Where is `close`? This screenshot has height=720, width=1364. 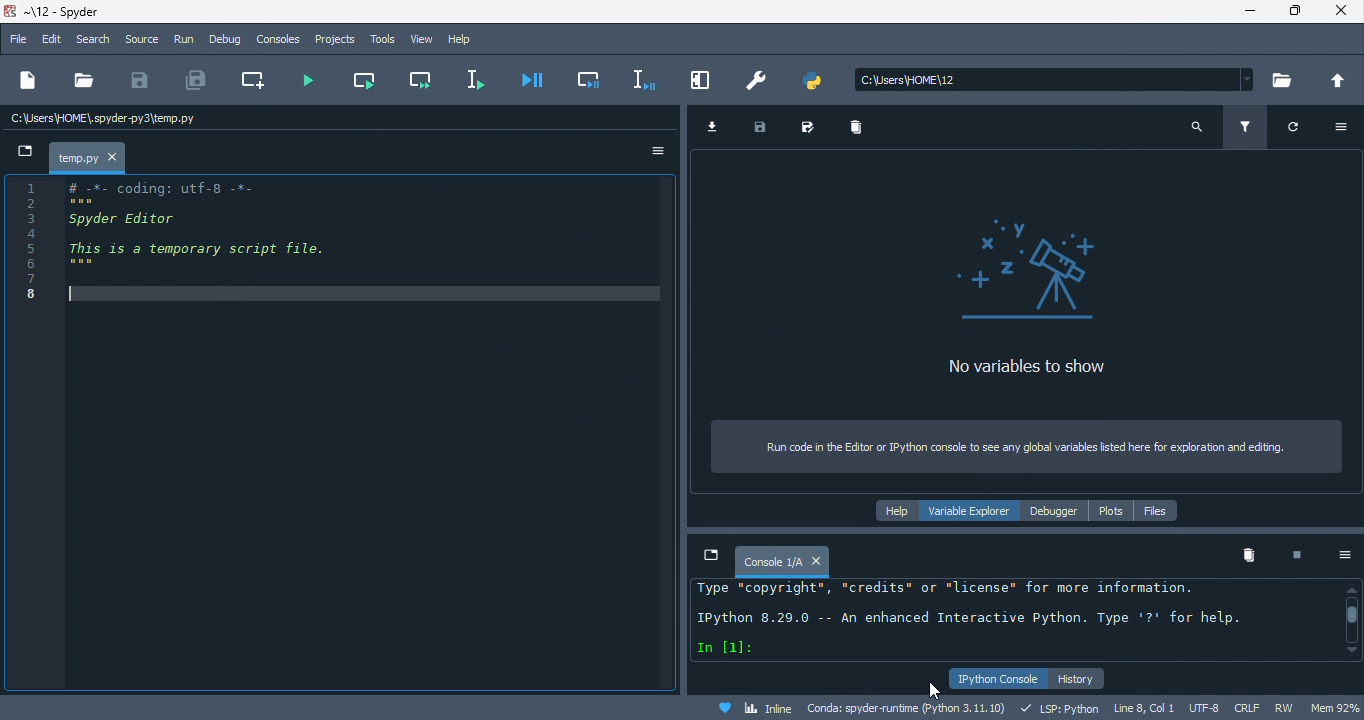
close is located at coordinates (1341, 14).